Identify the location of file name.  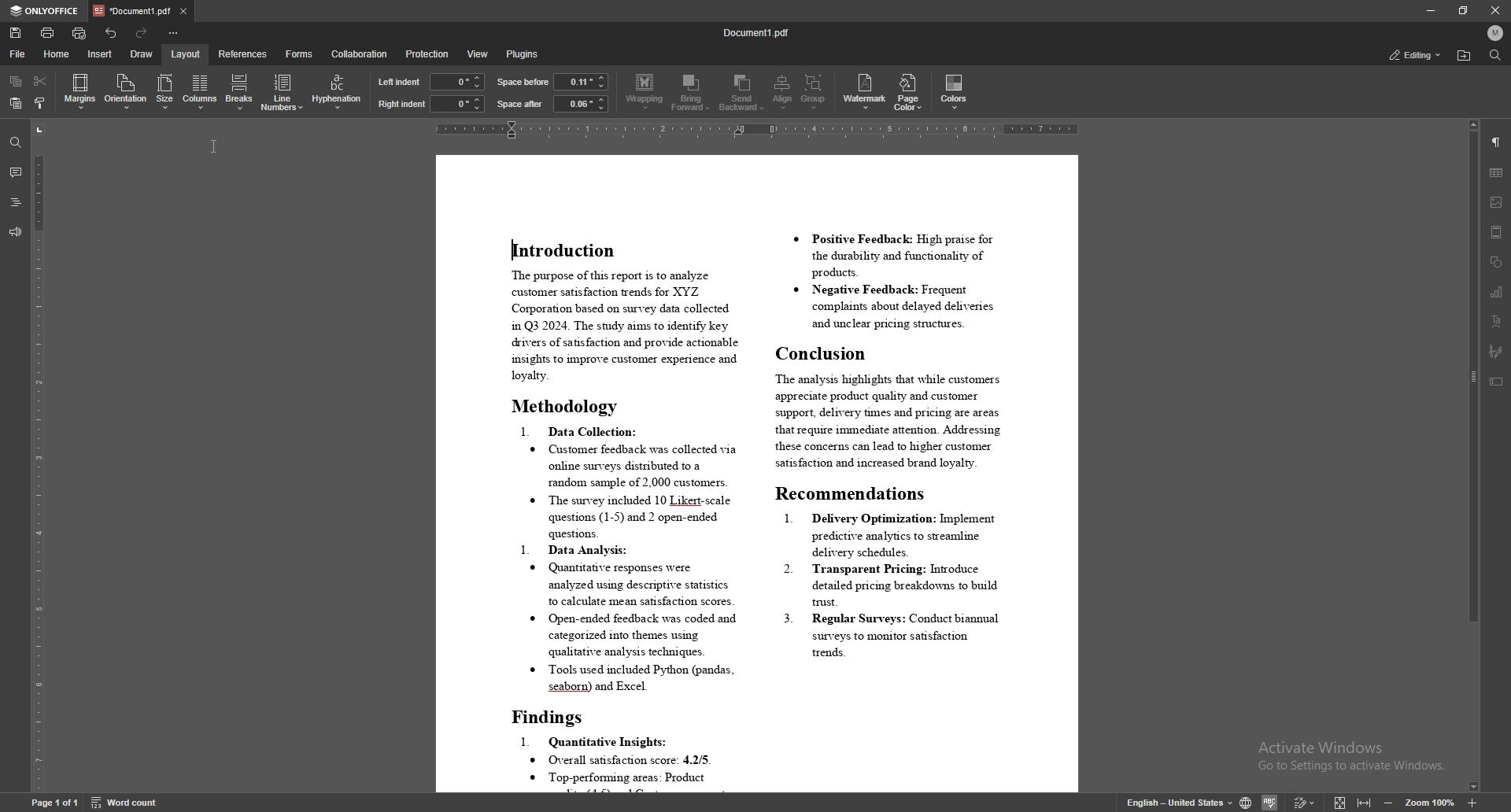
(756, 31).